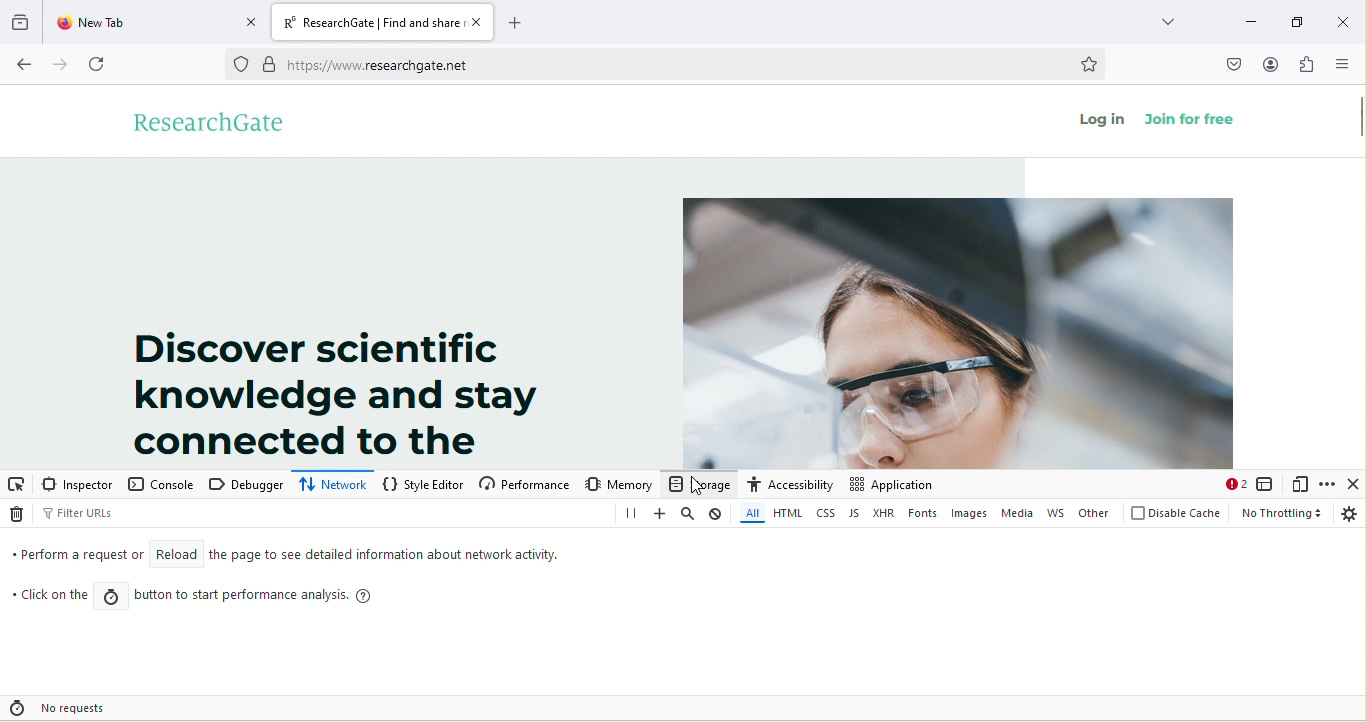  What do you see at coordinates (100, 63) in the screenshot?
I see `refresh` at bounding box center [100, 63].